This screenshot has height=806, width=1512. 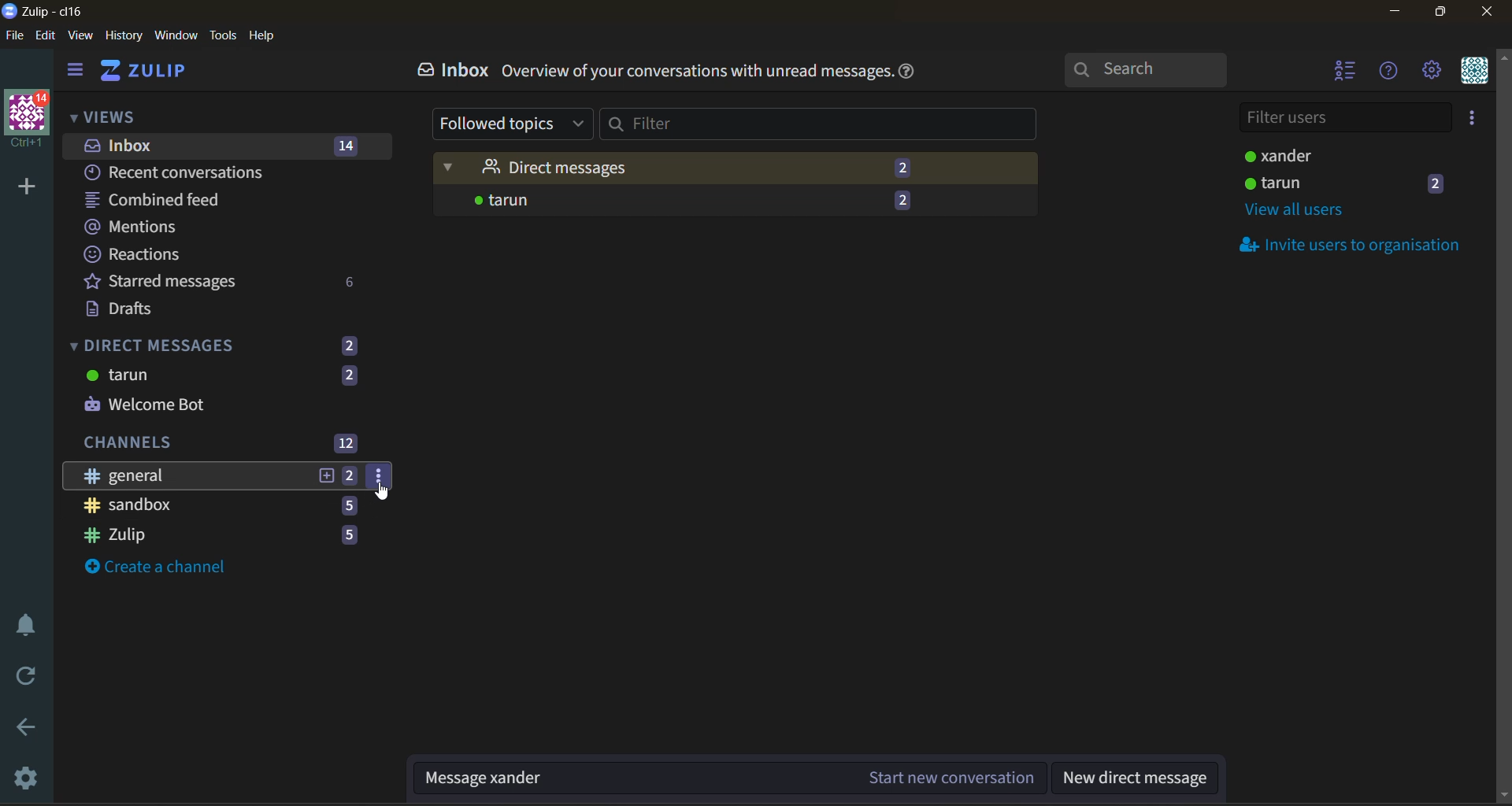 I want to click on go back, so click(x=31, y=728).